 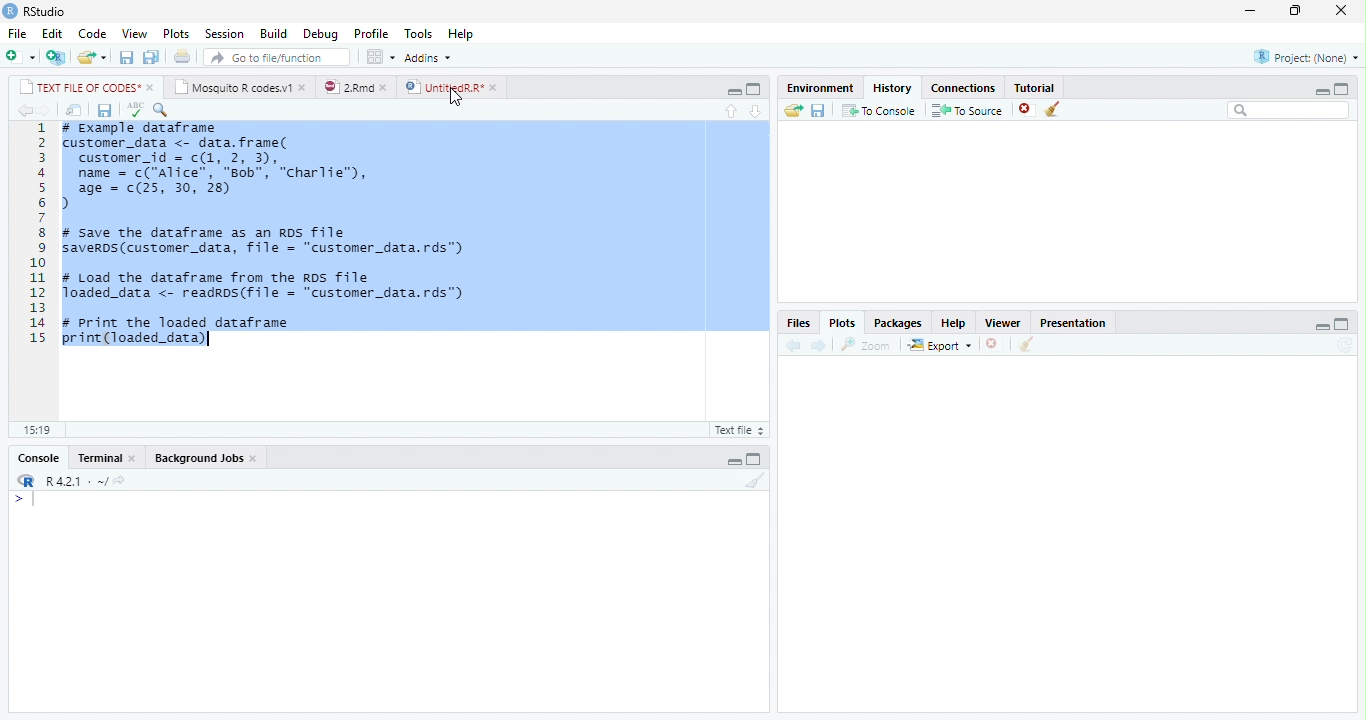 What do you see at coordinates (820, 87) in the screenshot?
I see `Environment` at bounding box center [820, 87].